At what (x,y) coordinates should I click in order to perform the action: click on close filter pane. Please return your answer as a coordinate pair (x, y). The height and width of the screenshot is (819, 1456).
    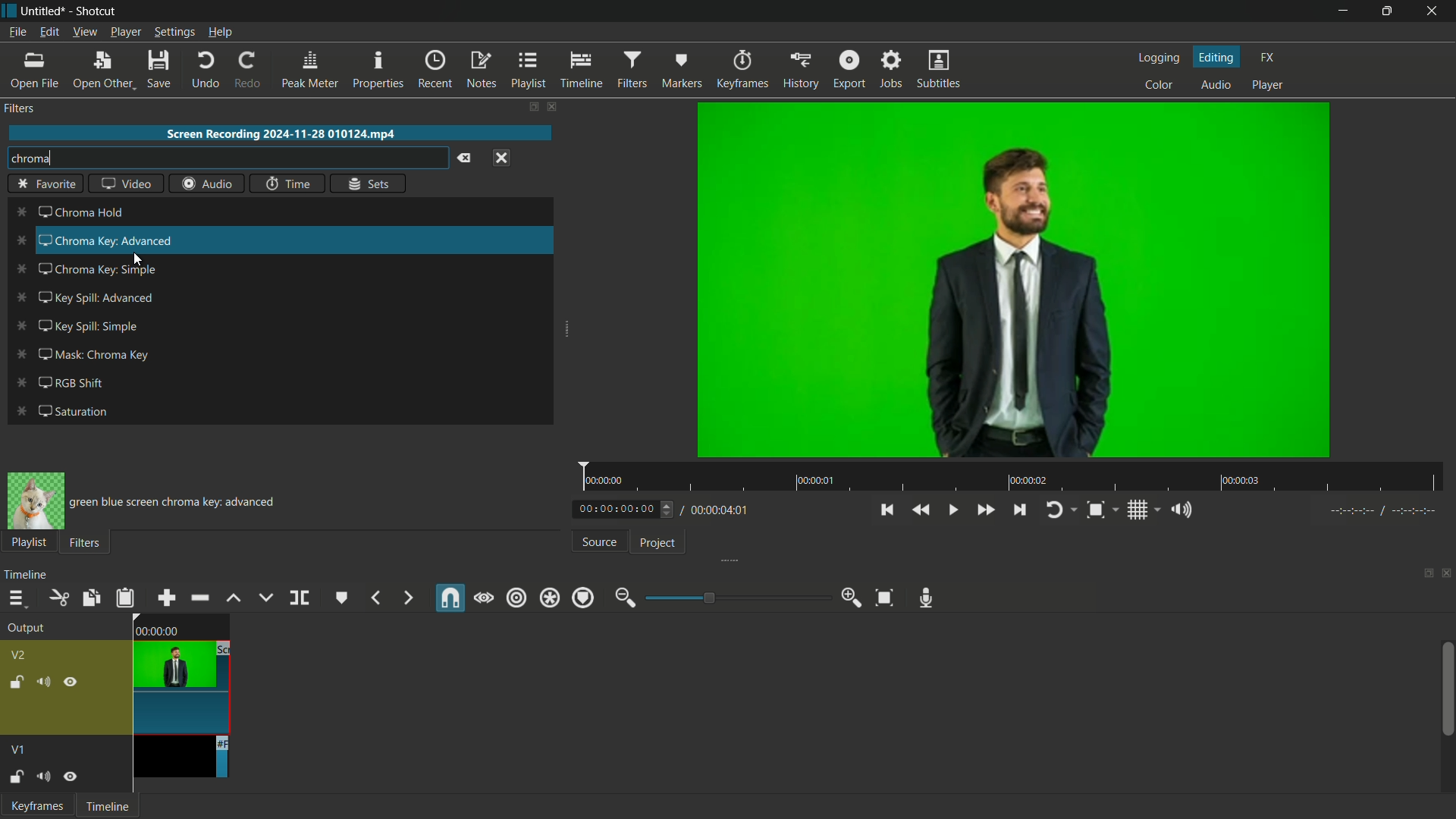
    Looking at the image, I should click on (556, 108).